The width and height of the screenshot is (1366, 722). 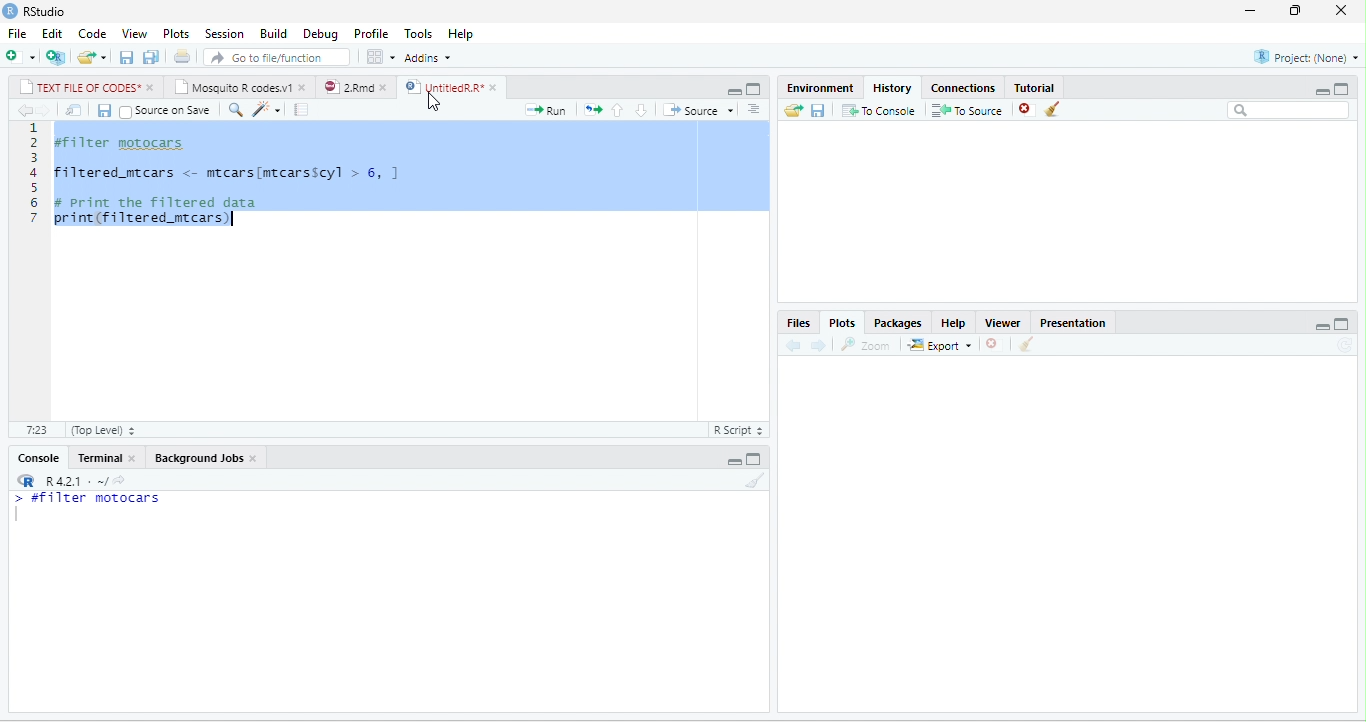 What do you see at coordinates (1322, 326) in the screenshot?
I see `minimize` at bounding box center [1322, 326].